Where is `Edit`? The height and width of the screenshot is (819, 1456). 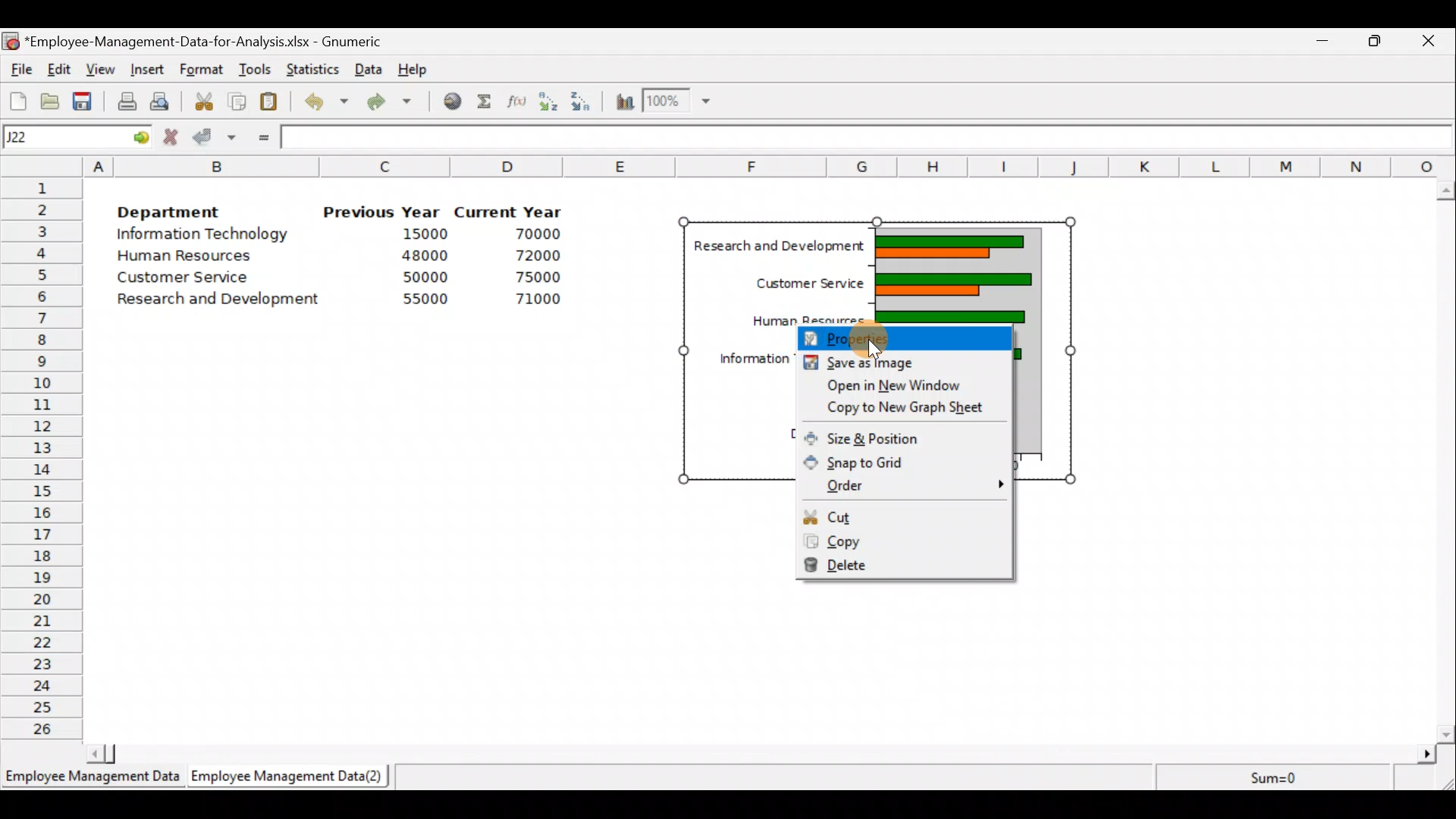
Edit is located at coordinates (61, 68).